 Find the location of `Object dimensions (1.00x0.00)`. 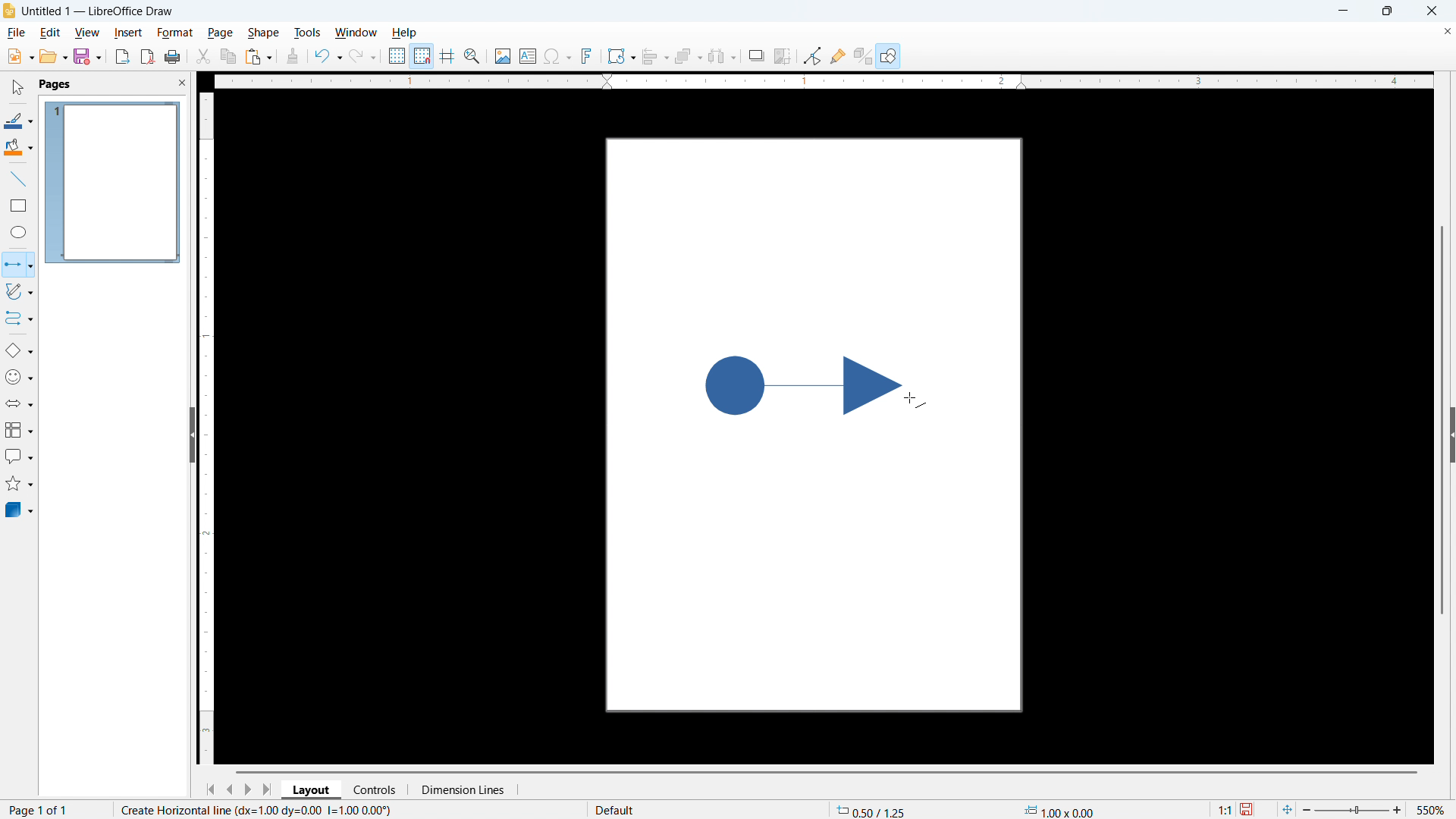

Object dimensions (1.00x0.00) is located at coordinates (1059, 810).